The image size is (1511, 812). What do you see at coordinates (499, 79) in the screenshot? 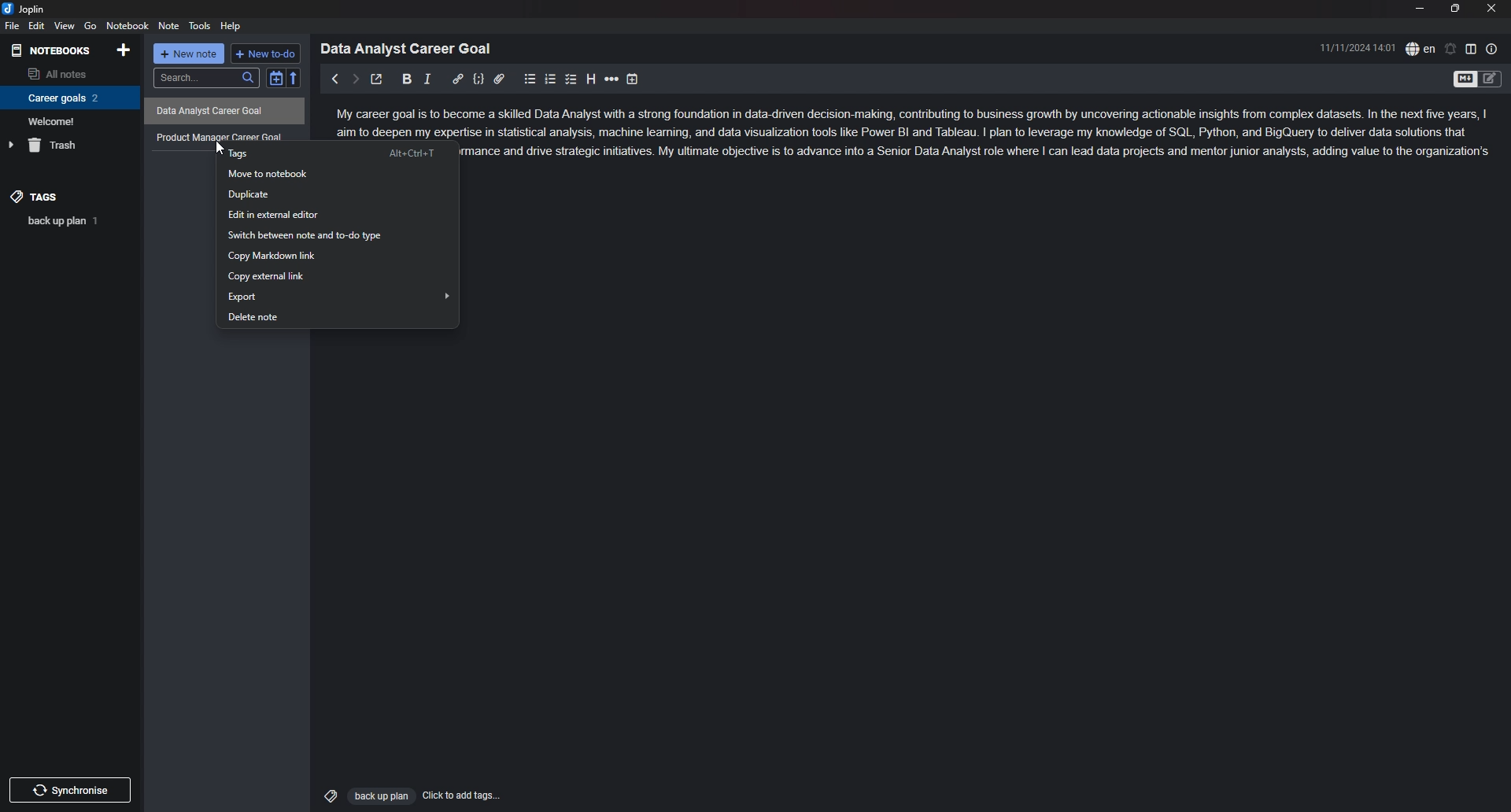
I see `attachment` at bounding box center [499, 79].